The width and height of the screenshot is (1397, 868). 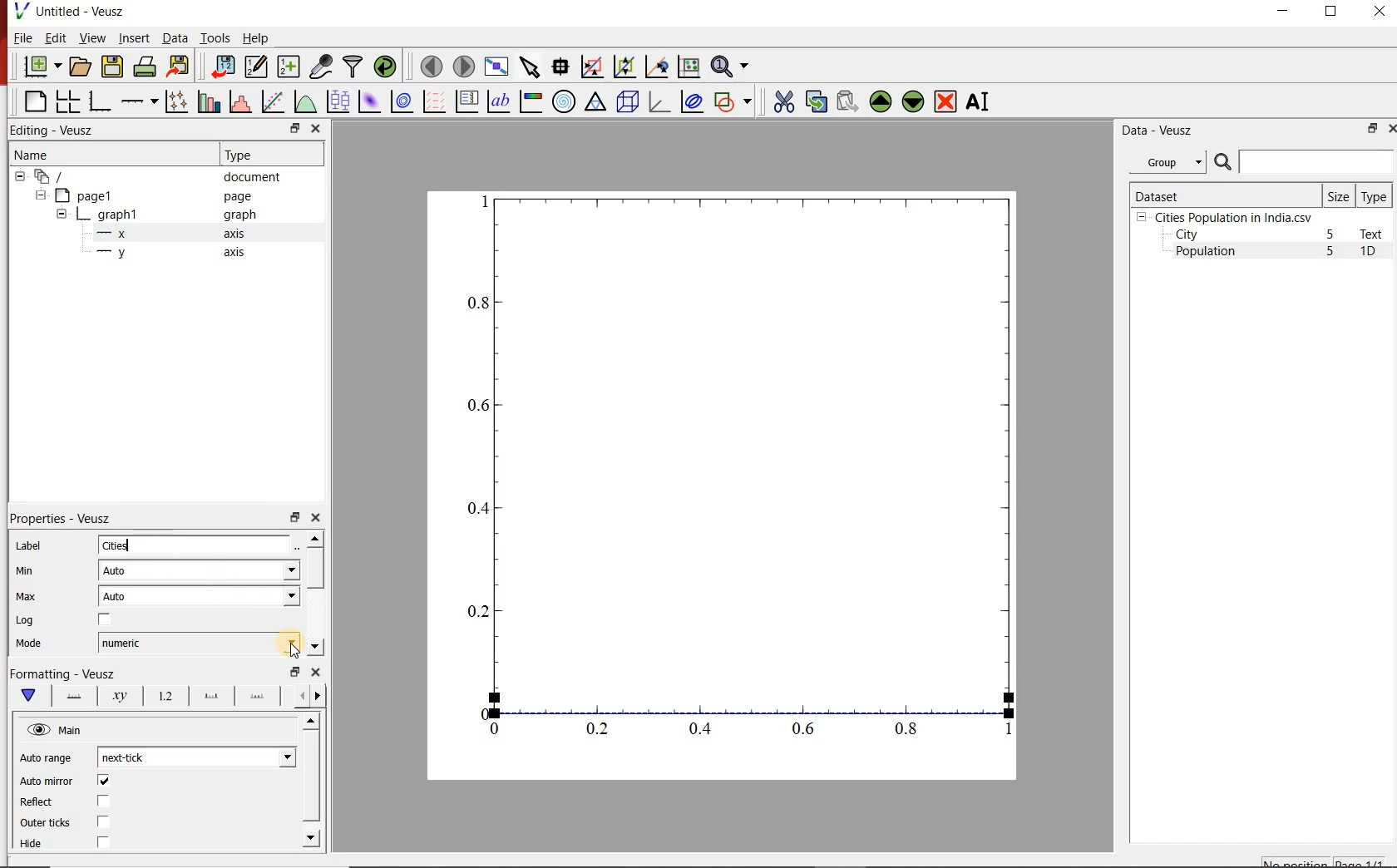 I want to click on Add an axis to the plot, so click(x=139, y=99).